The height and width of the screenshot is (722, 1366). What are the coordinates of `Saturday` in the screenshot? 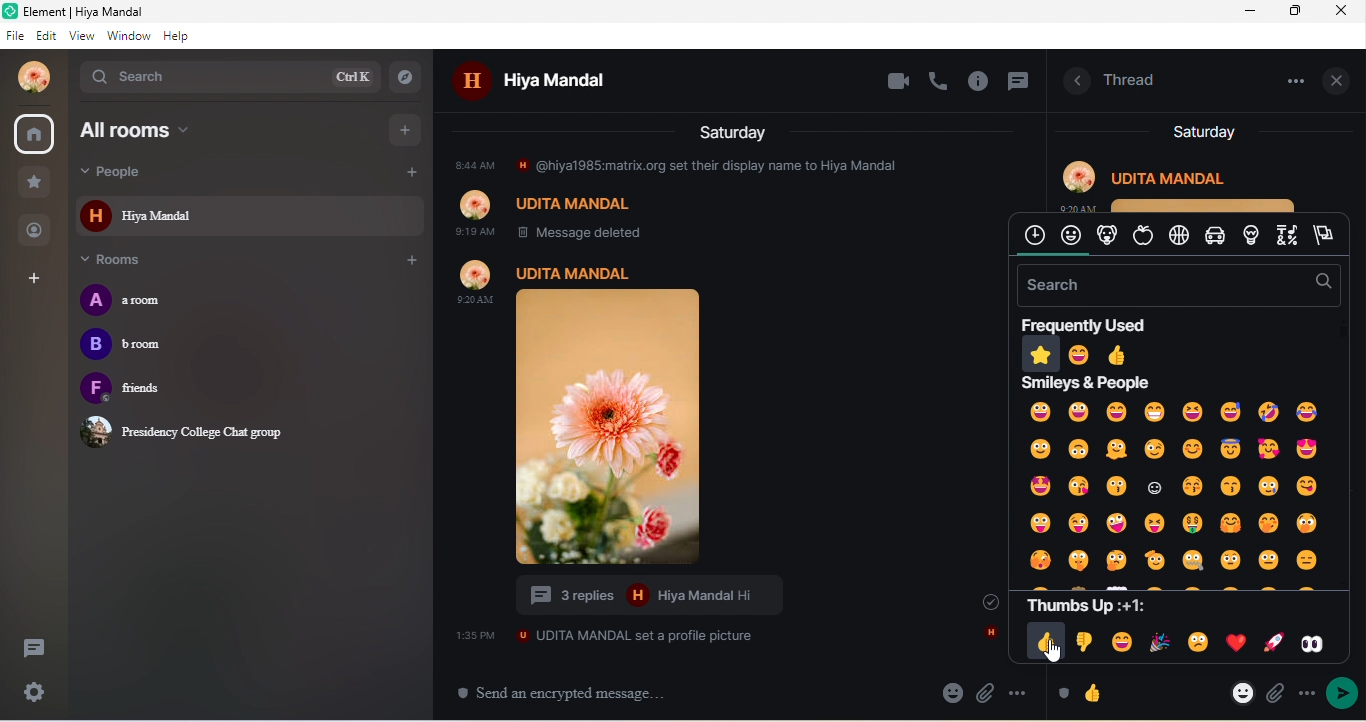 It's located at (735, 131).